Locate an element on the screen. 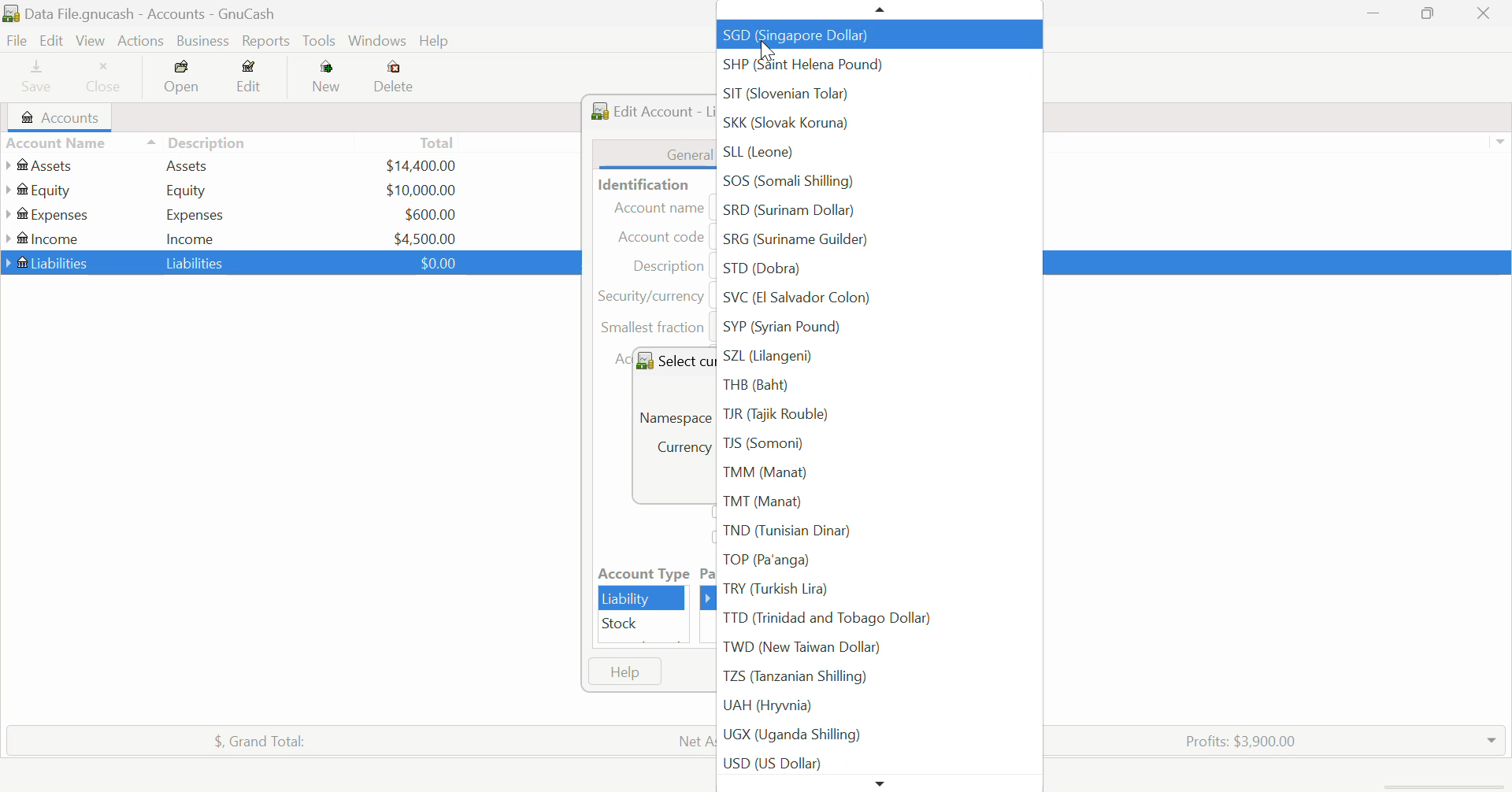  USD is located at coordinates (425, 237).